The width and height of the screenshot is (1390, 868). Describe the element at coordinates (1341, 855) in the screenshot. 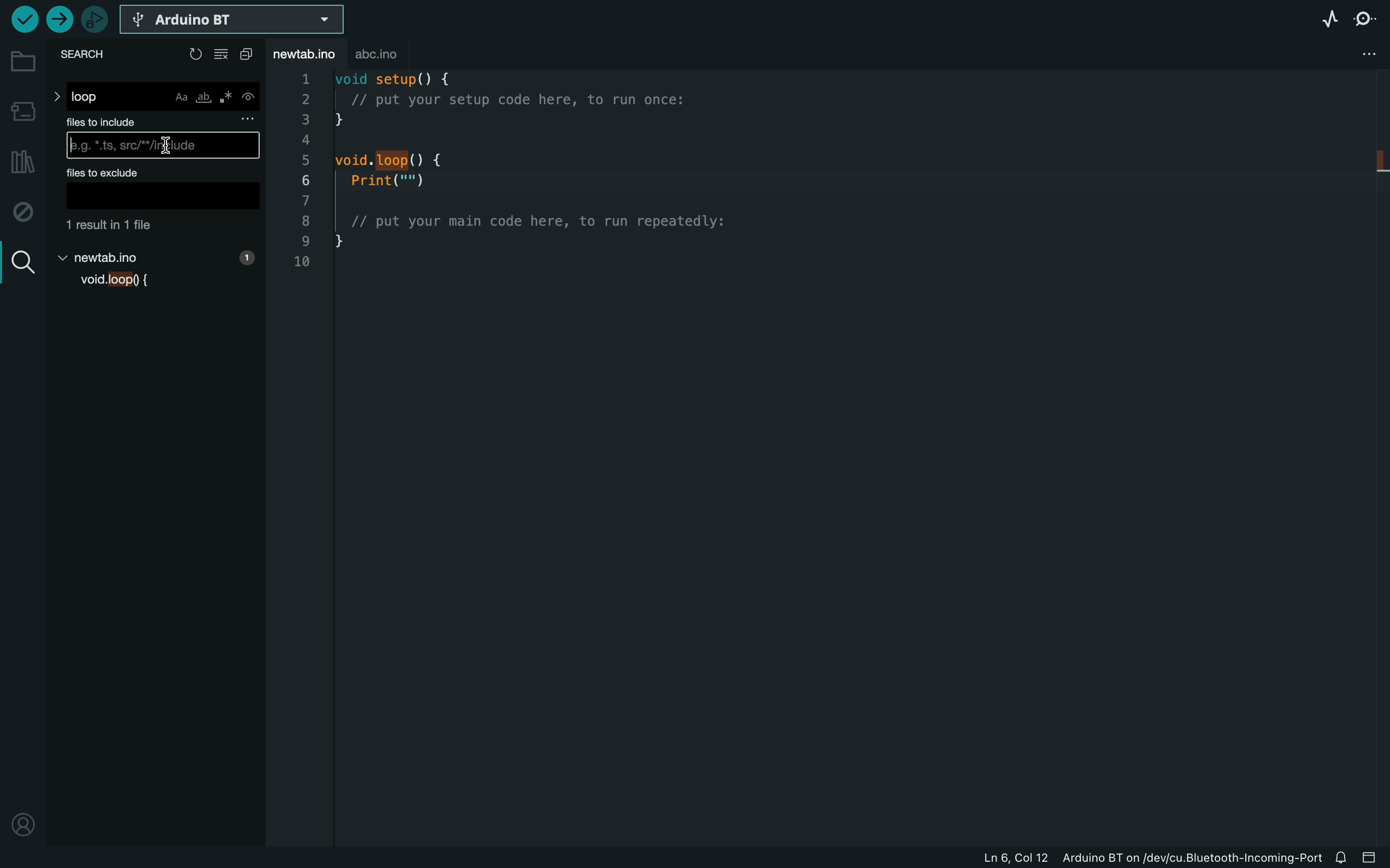

I see `notification` at that location.